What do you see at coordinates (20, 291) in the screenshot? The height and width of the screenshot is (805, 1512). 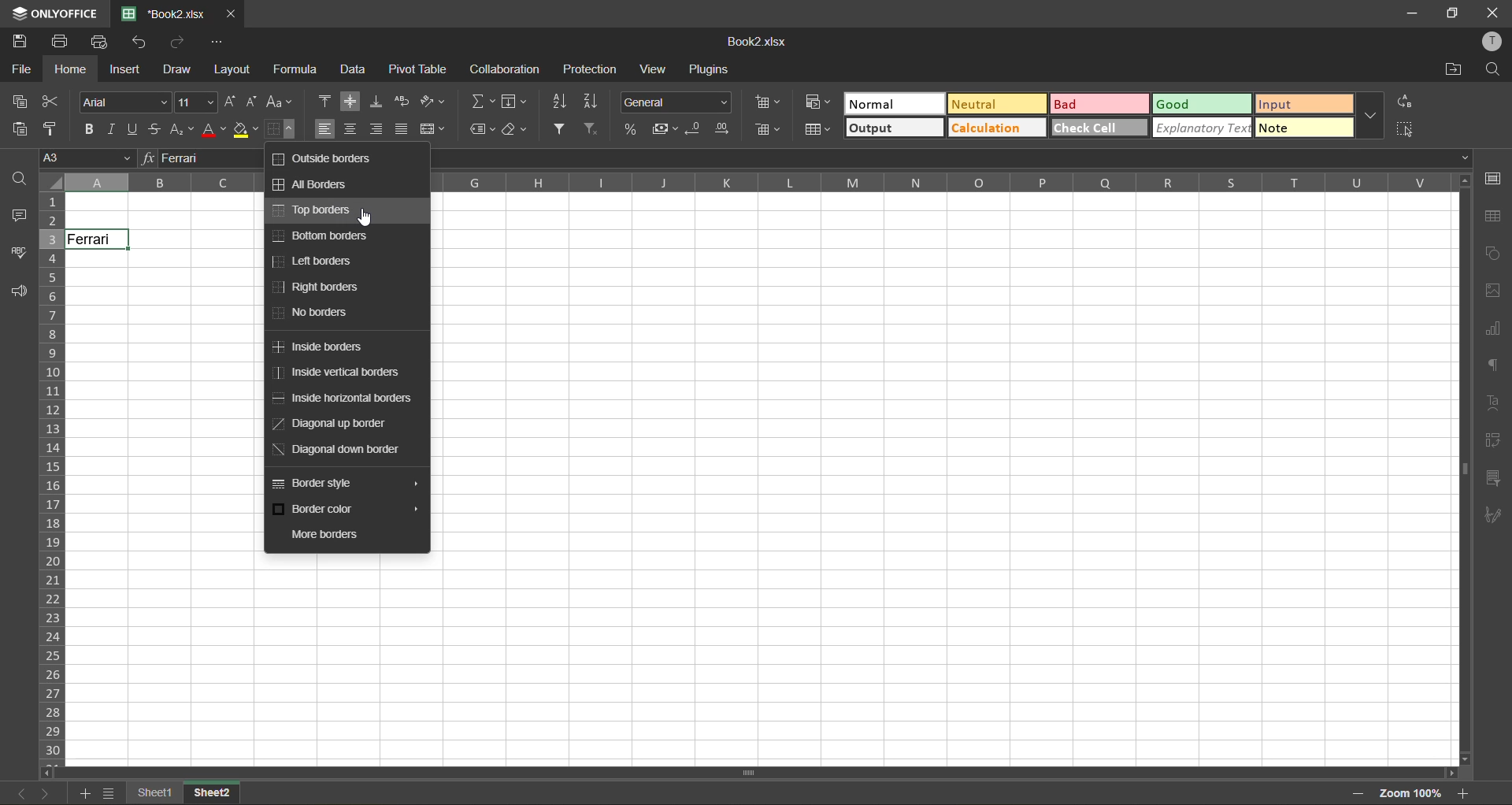 I see `feedback` at bounding box center [20, 291].